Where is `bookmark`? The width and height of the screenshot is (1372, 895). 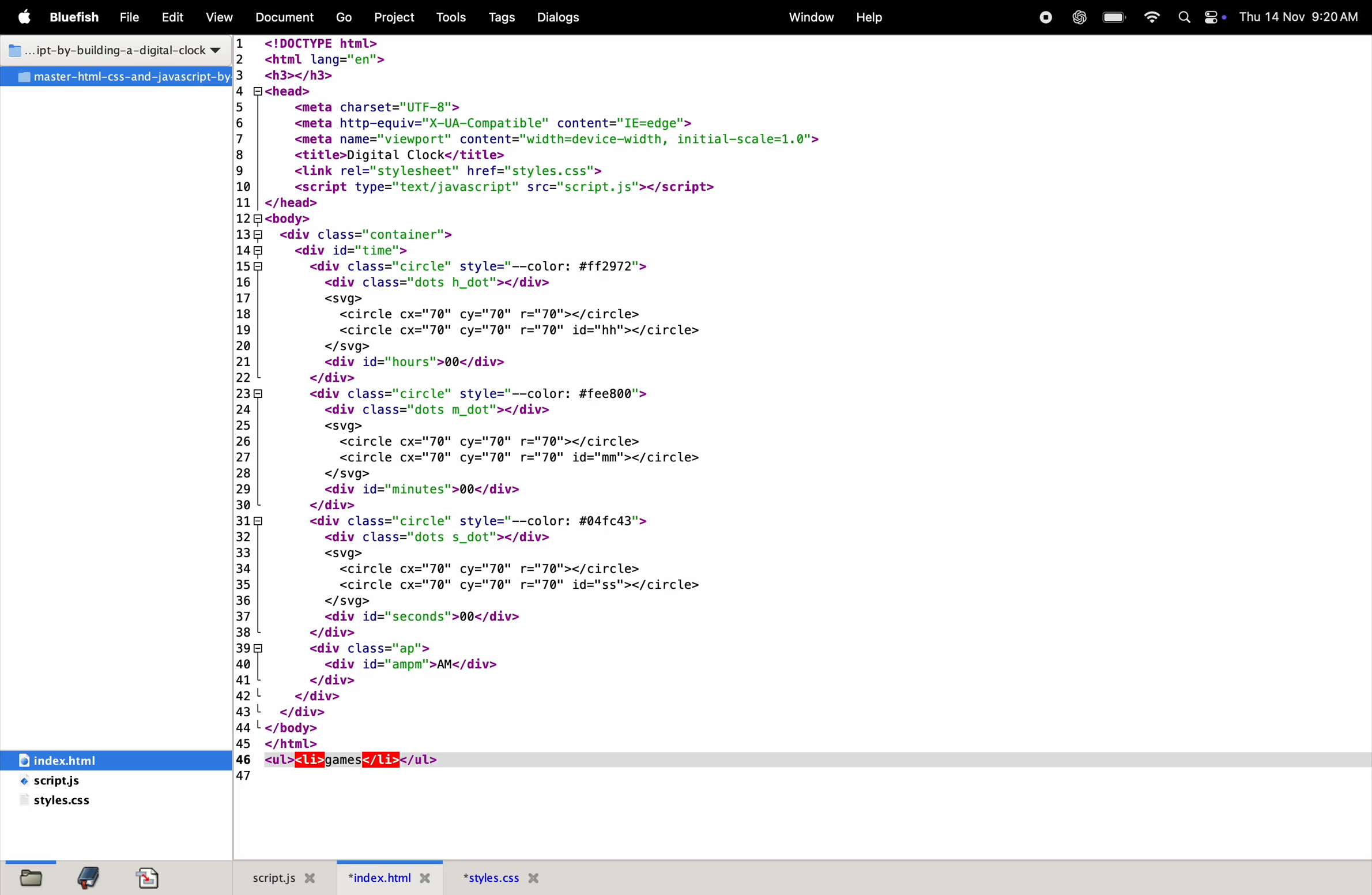 bookmark is located at coordinates (93, 877).